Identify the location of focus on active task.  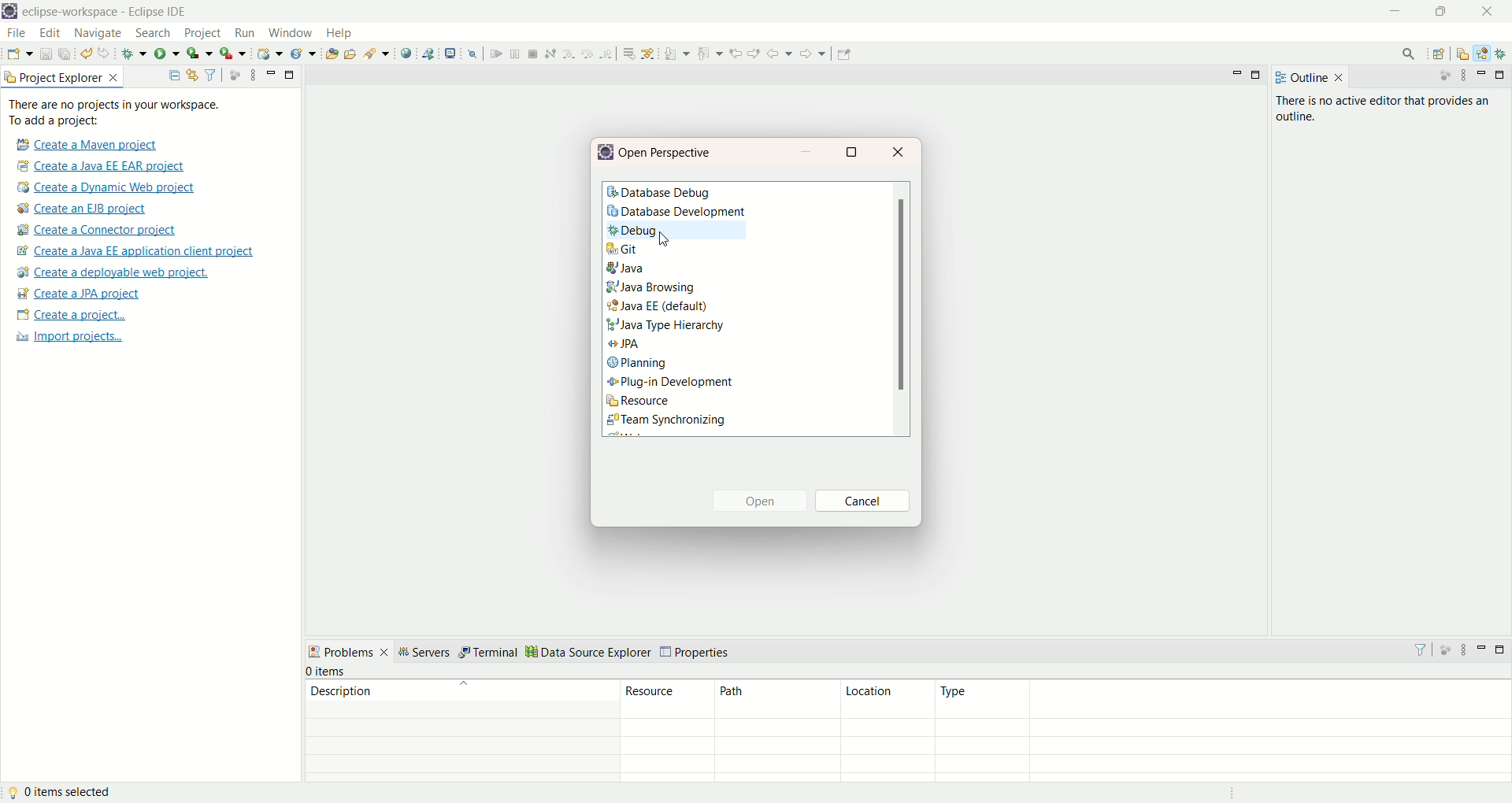
(234, 76).